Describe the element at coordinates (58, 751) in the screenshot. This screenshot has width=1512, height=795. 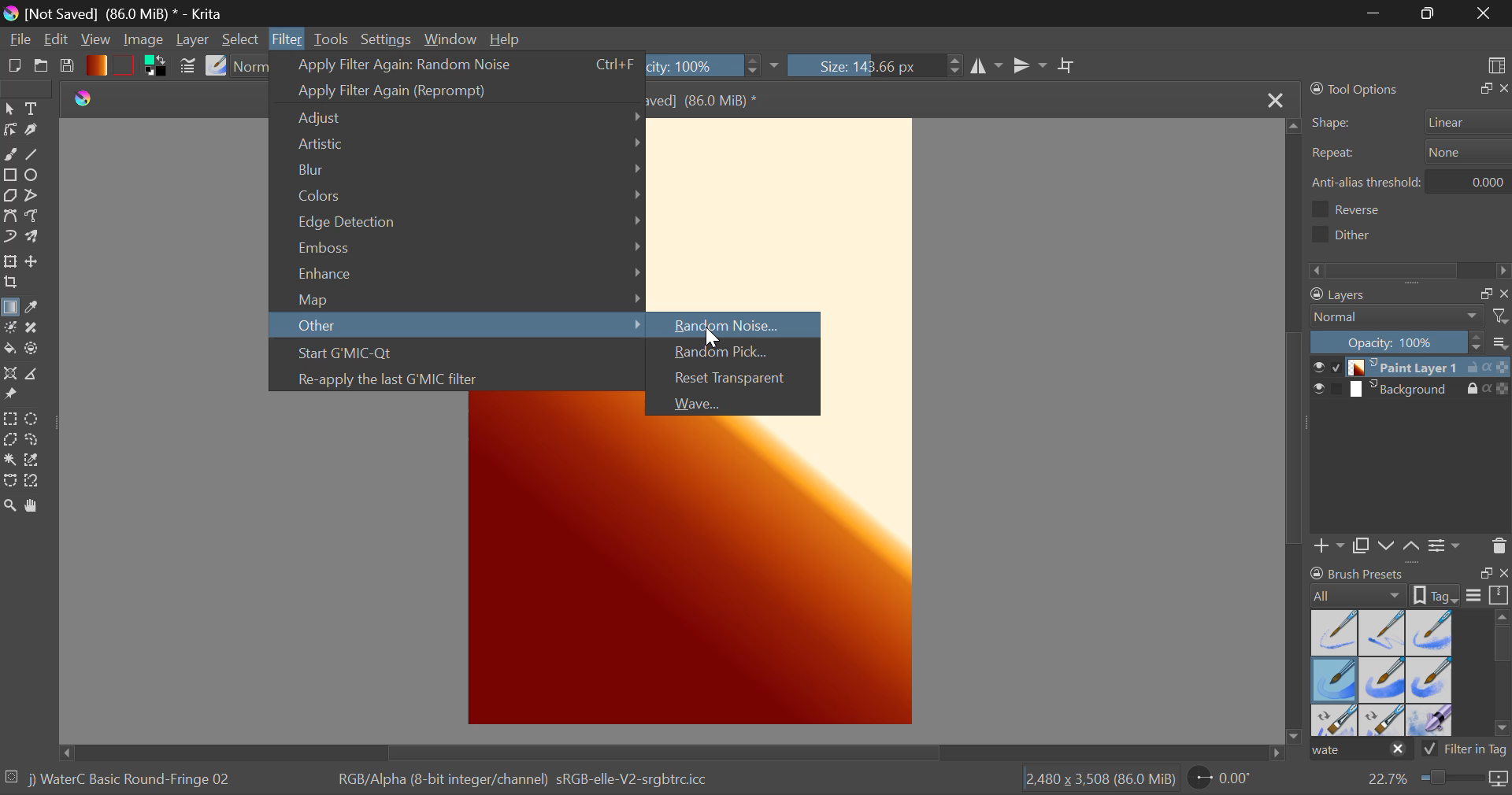
I see `move left` at that location.